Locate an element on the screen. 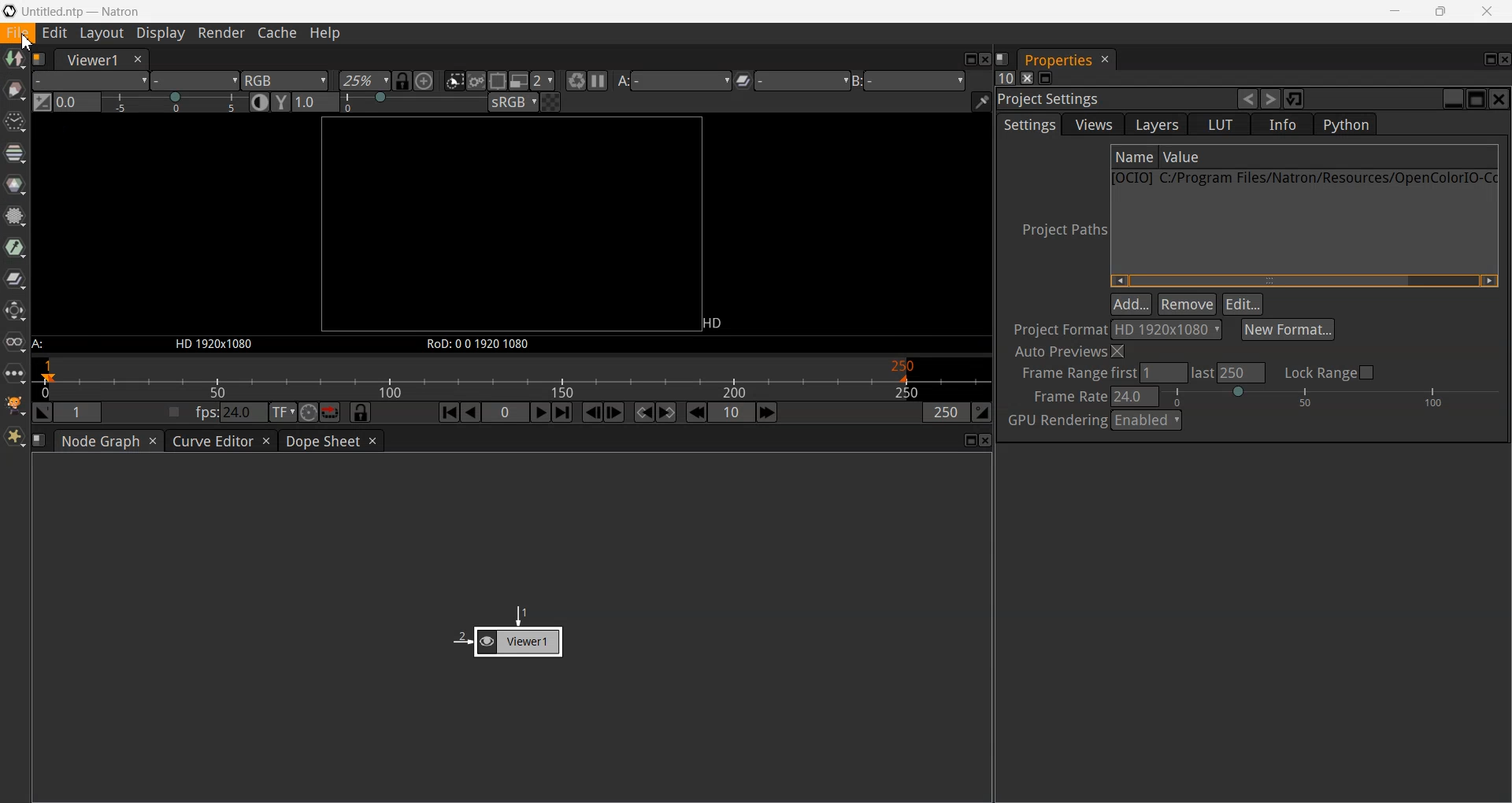 The image size is (1512, 803). Turbo Mode is located at coordinates (308, 412).